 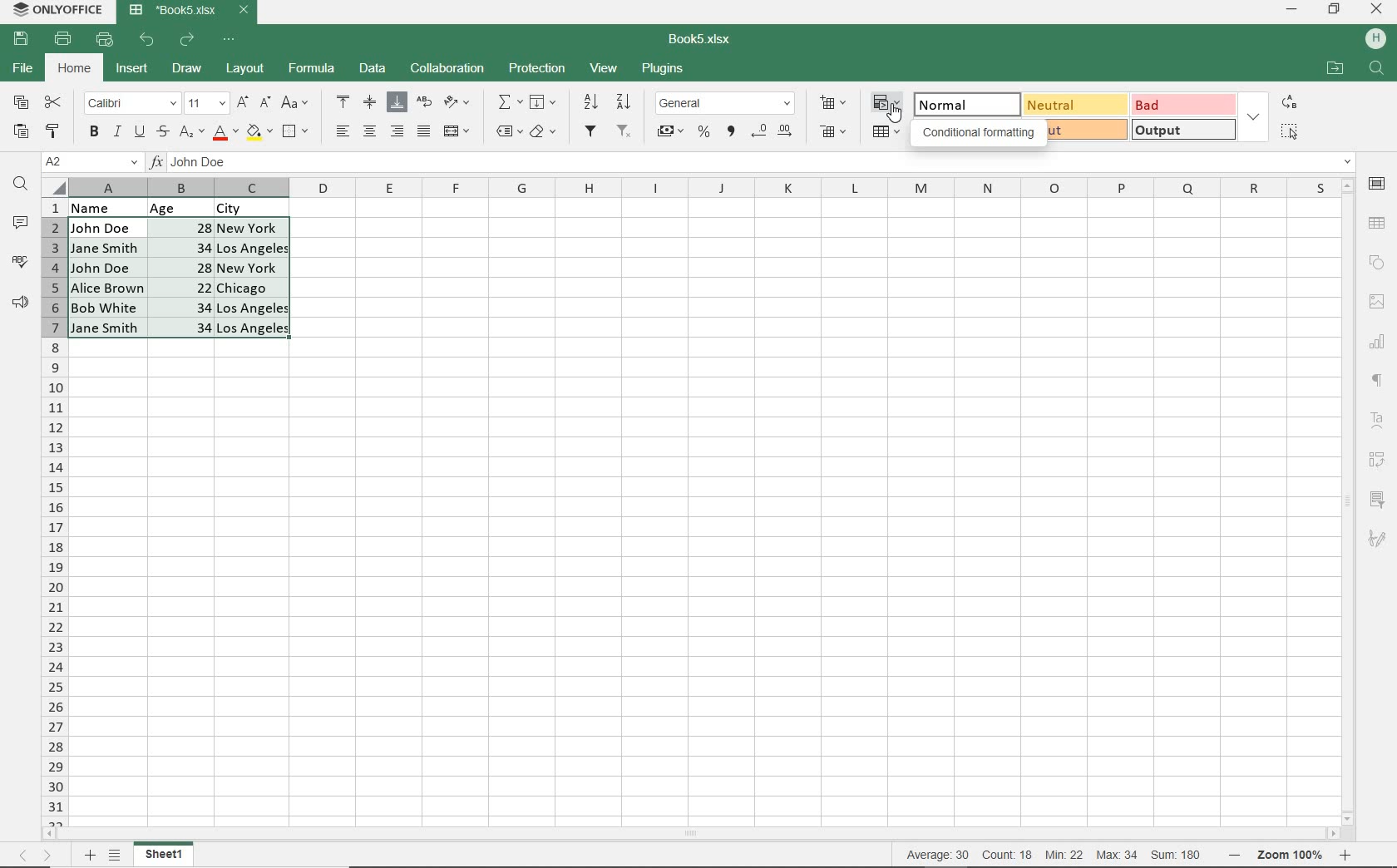 What do you see at coordinates (93, 133) in the screenshot?
I see `BOLD` at bounding box center [93, 133].